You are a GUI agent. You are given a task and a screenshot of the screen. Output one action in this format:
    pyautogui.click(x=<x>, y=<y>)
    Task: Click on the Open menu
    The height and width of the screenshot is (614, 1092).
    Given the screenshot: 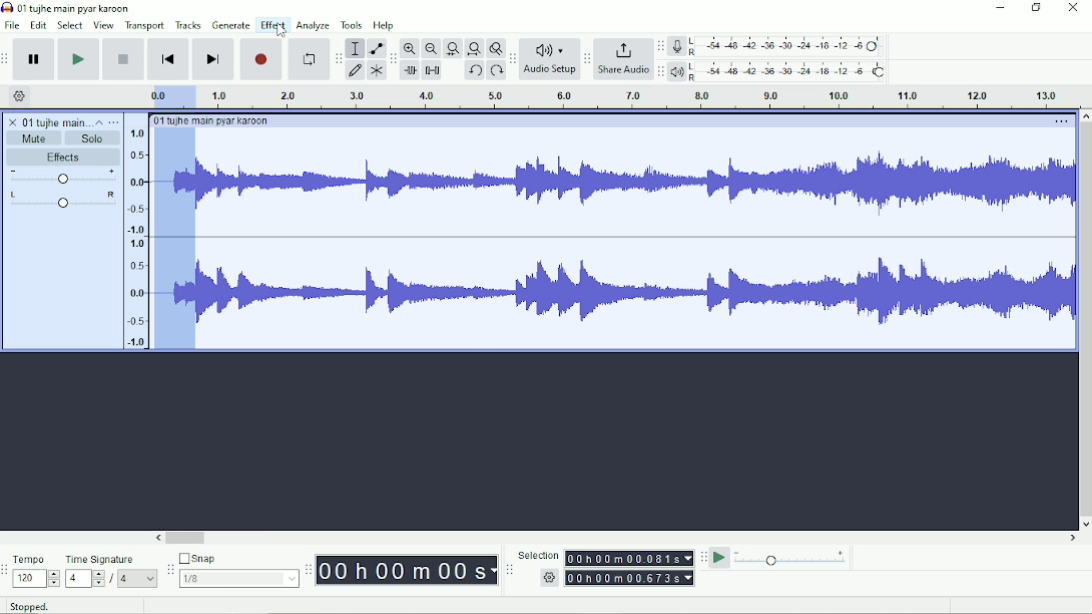 What is the action you would take?
    pyautogui.click(x=114, y=122)
    